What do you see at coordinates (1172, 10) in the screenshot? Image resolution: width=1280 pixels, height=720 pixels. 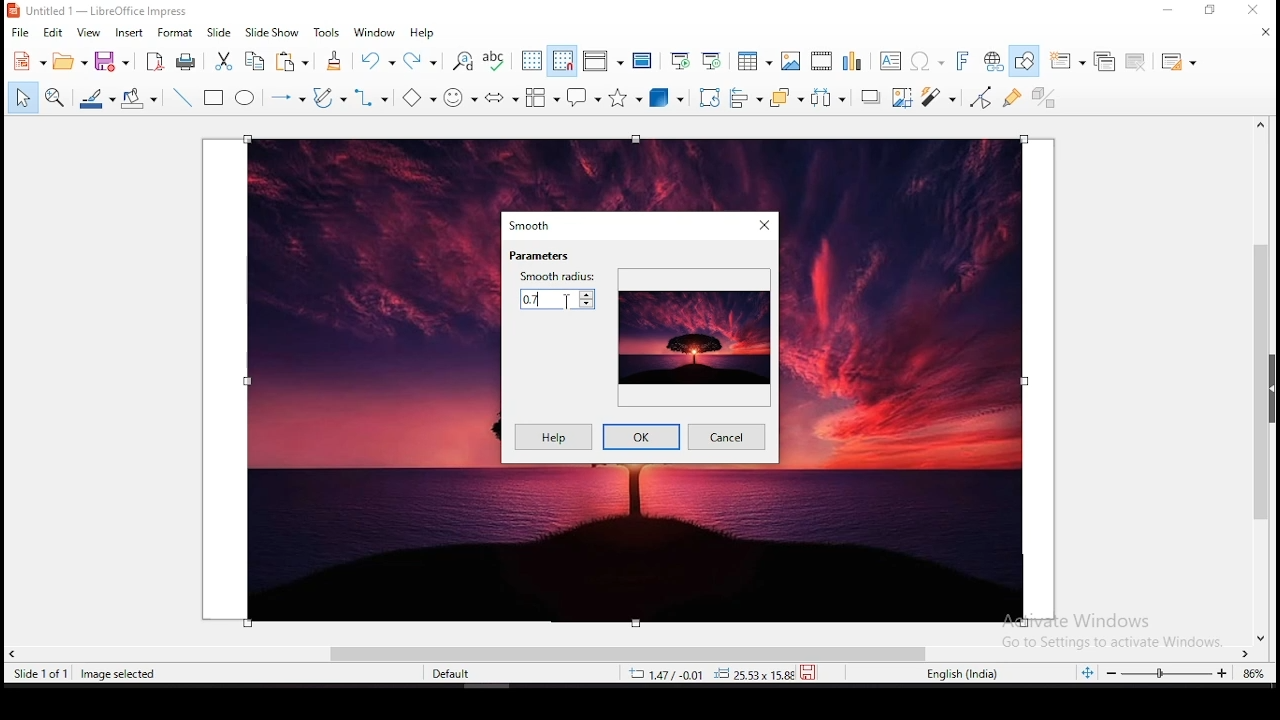 I see `minimize` at bounding box center [1172, 10].